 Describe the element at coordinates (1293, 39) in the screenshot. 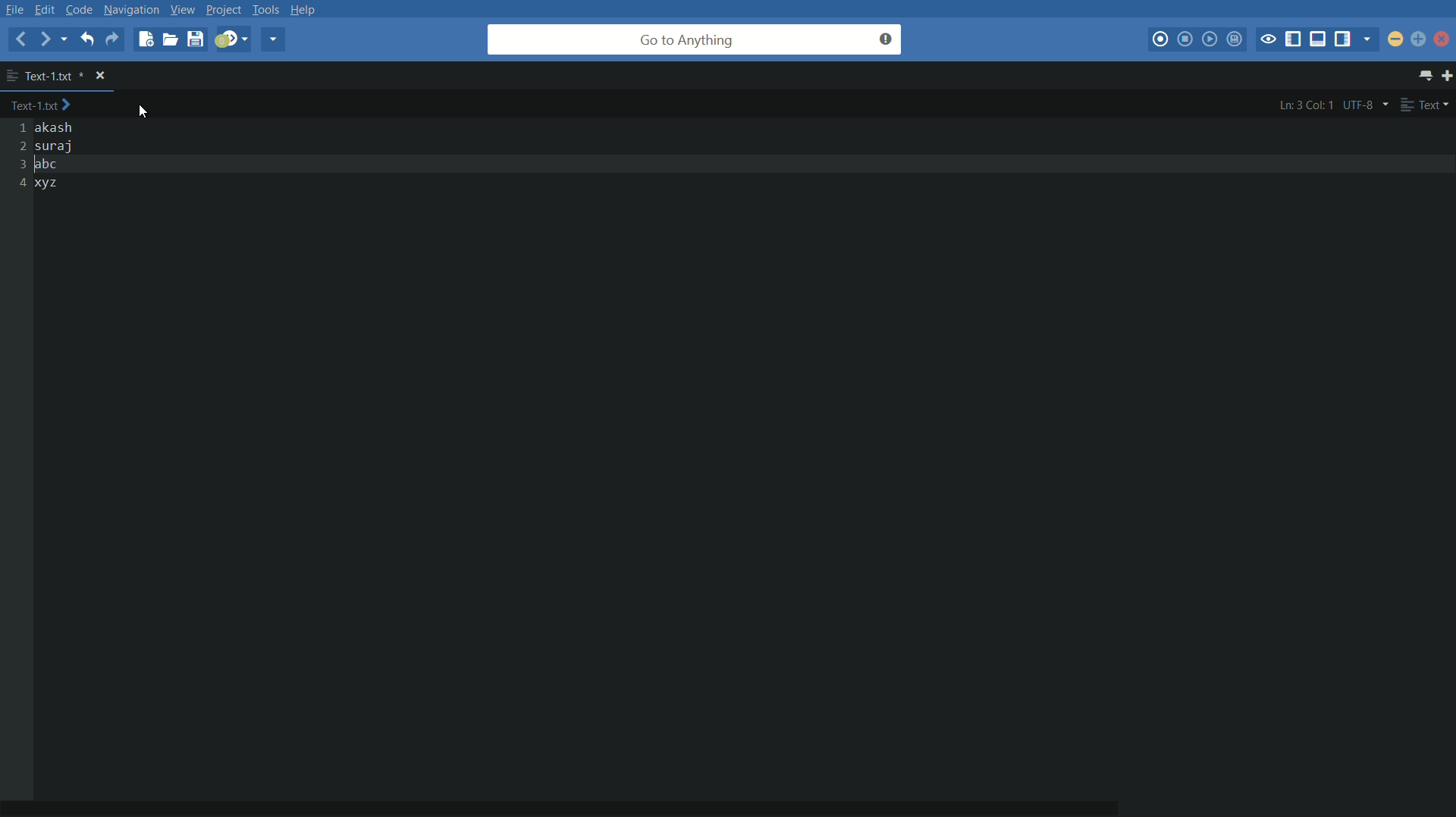

I see `show/hide left panel` at that location.